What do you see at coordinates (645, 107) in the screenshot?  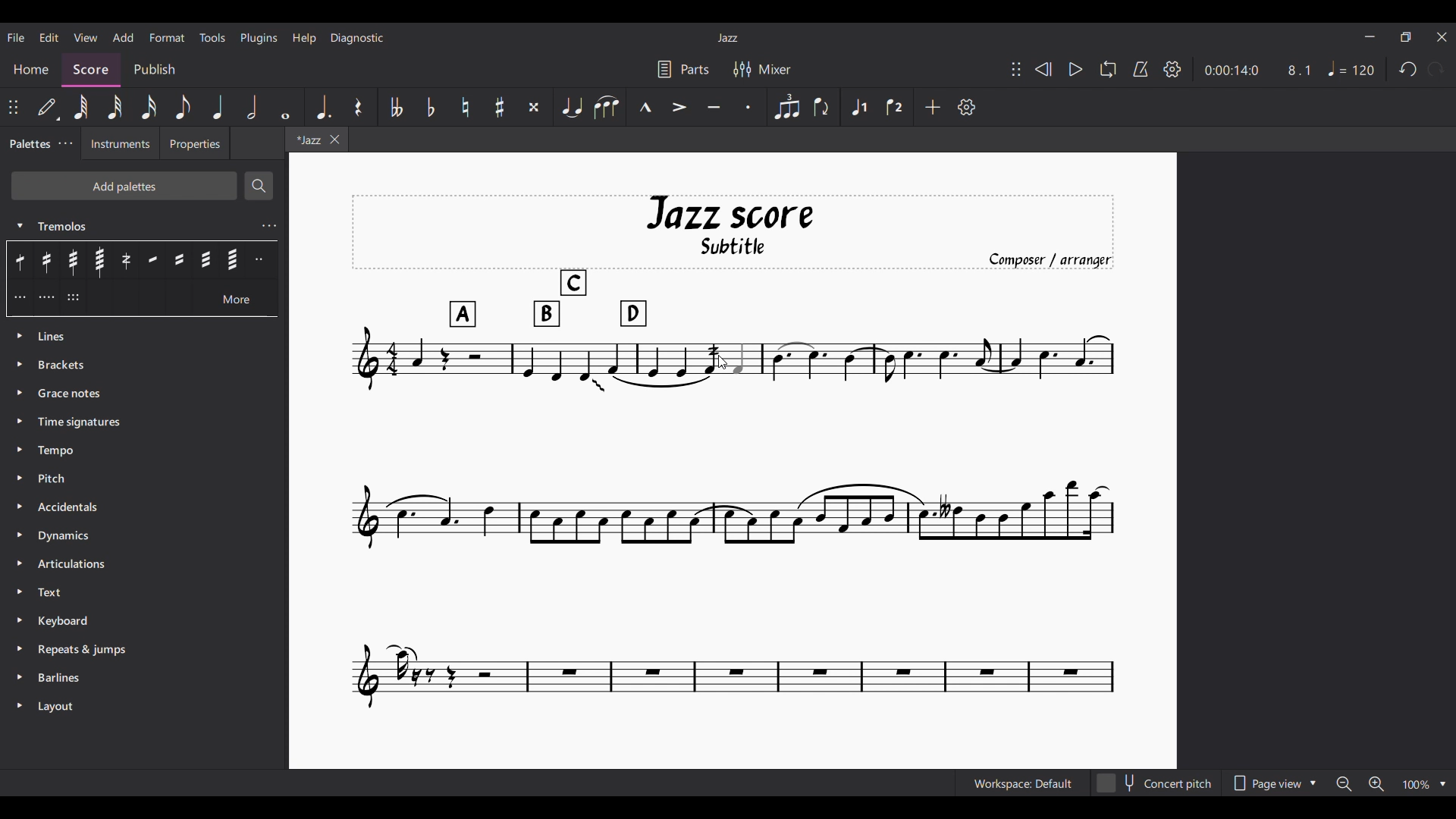 I see `Marcato` at bounding box center [645, 107].